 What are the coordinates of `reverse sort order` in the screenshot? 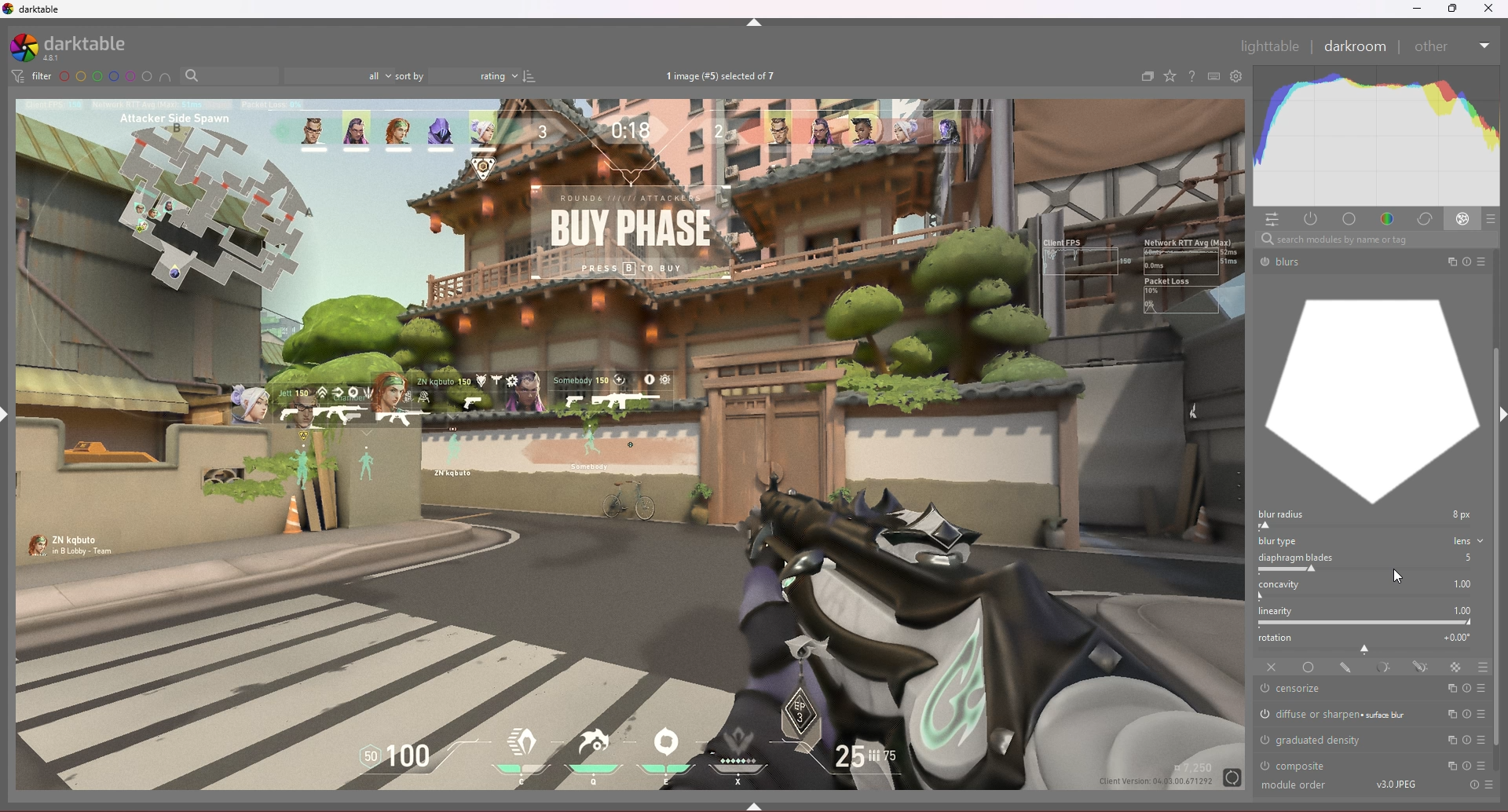 It's located at (530, 75).